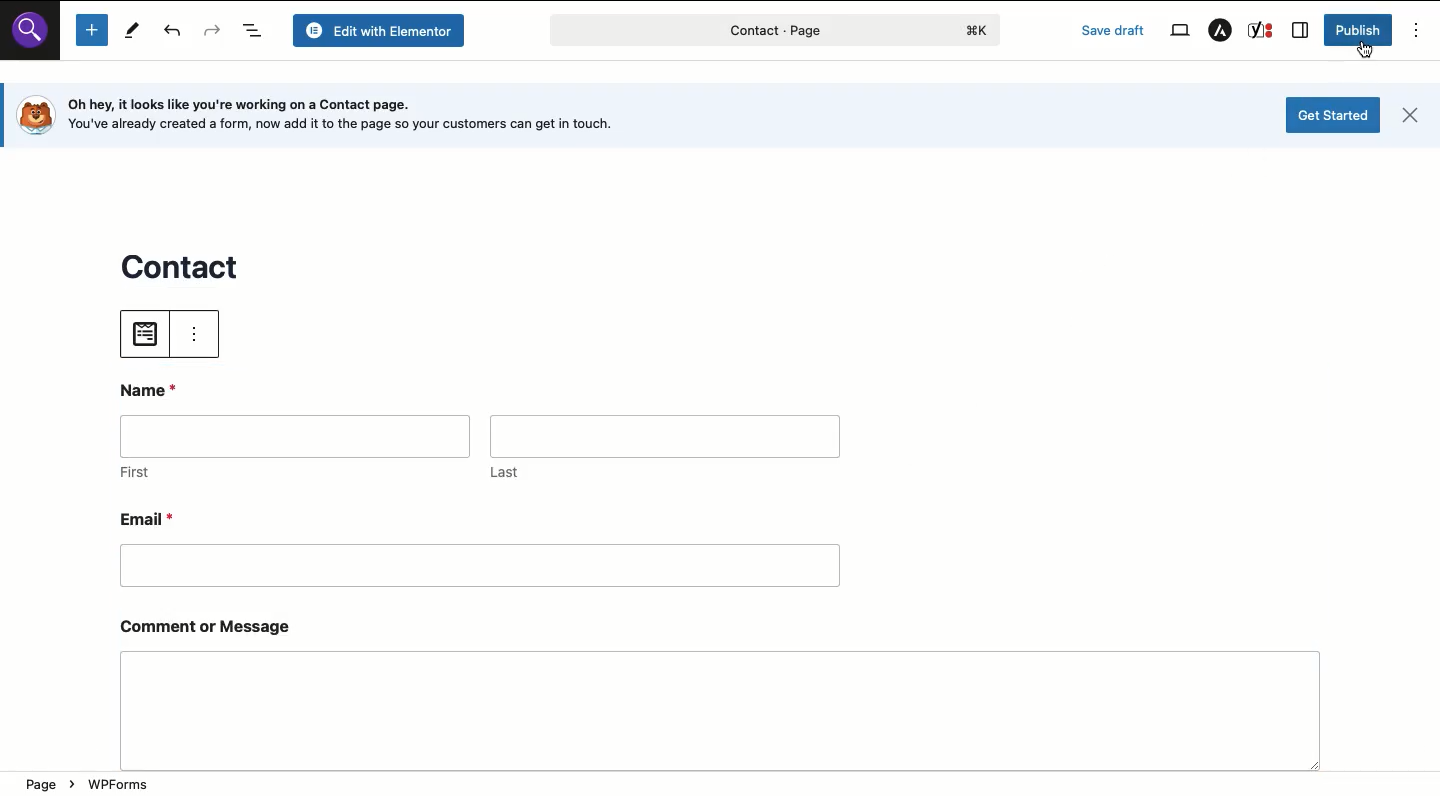 The width and height of the screenshot is (1440, 796). Describe the element at coordinates (479, 546) in the screenshot. I see `Email*` at that location.